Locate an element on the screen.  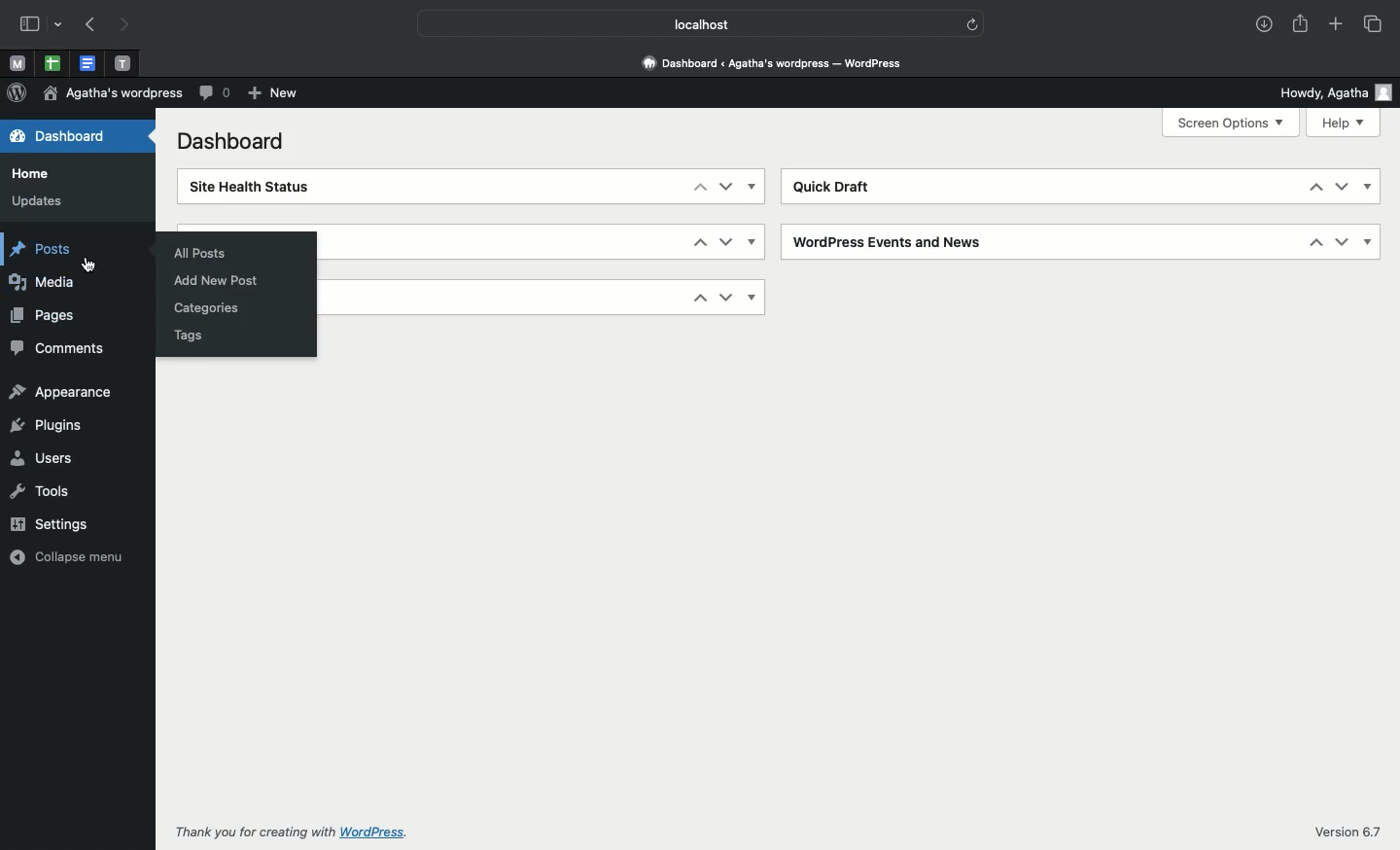
Up is located at coordinates (1315, 242).